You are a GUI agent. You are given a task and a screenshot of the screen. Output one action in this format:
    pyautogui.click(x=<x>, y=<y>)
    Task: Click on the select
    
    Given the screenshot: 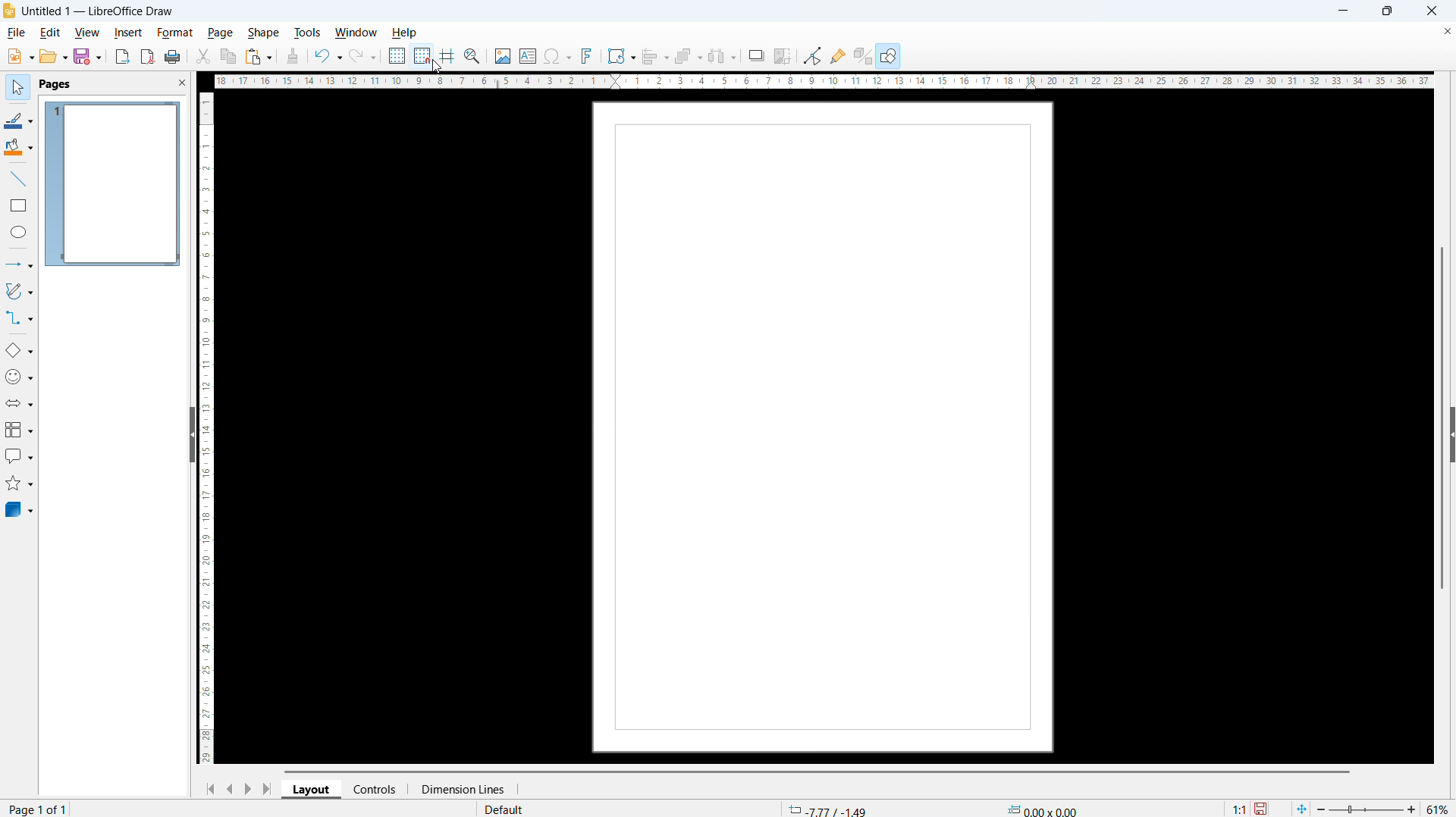 What is the action you would take?
    pyautogui.click(x=18, y=87)
    